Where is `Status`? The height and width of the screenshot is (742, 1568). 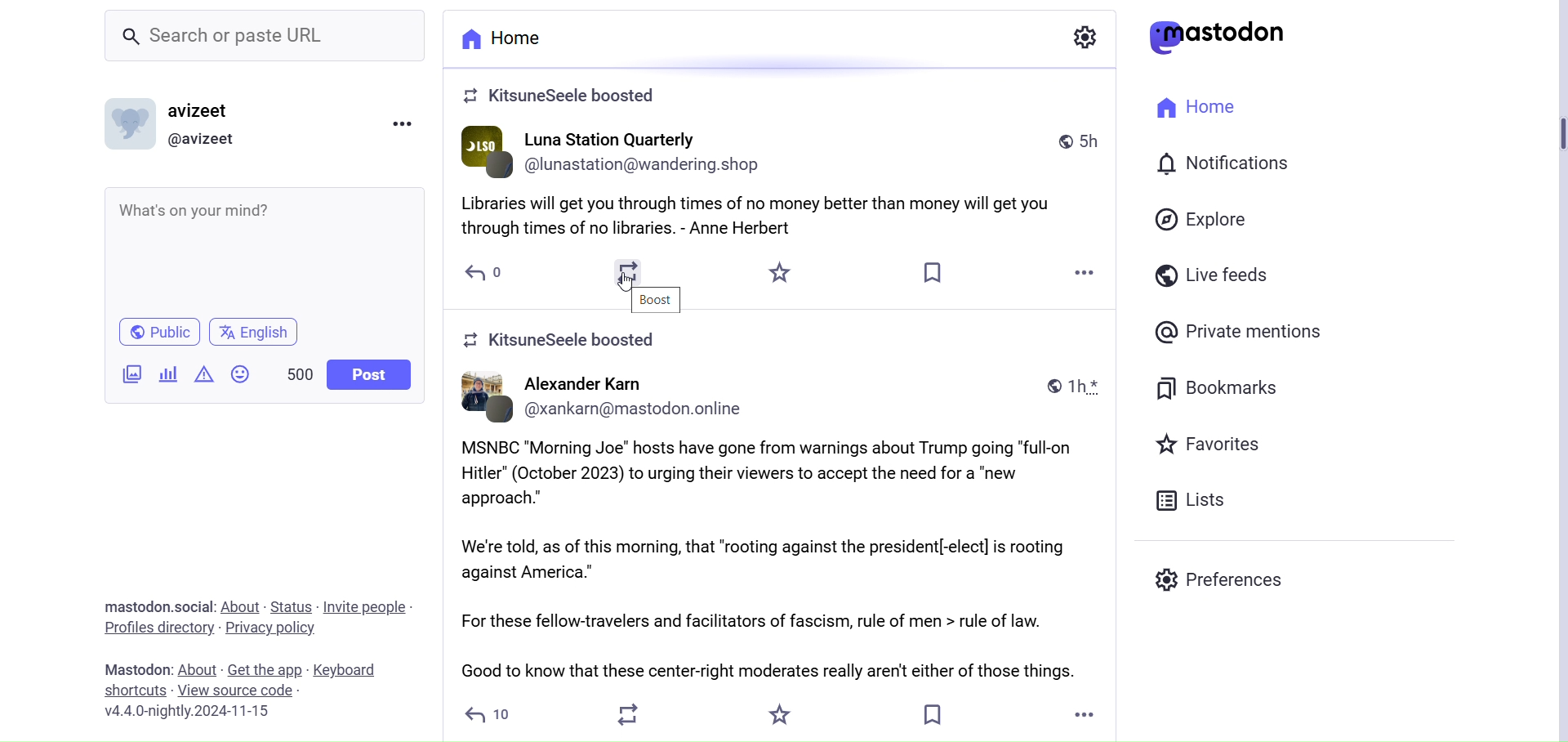
Status is located at coordinates (291, 607).